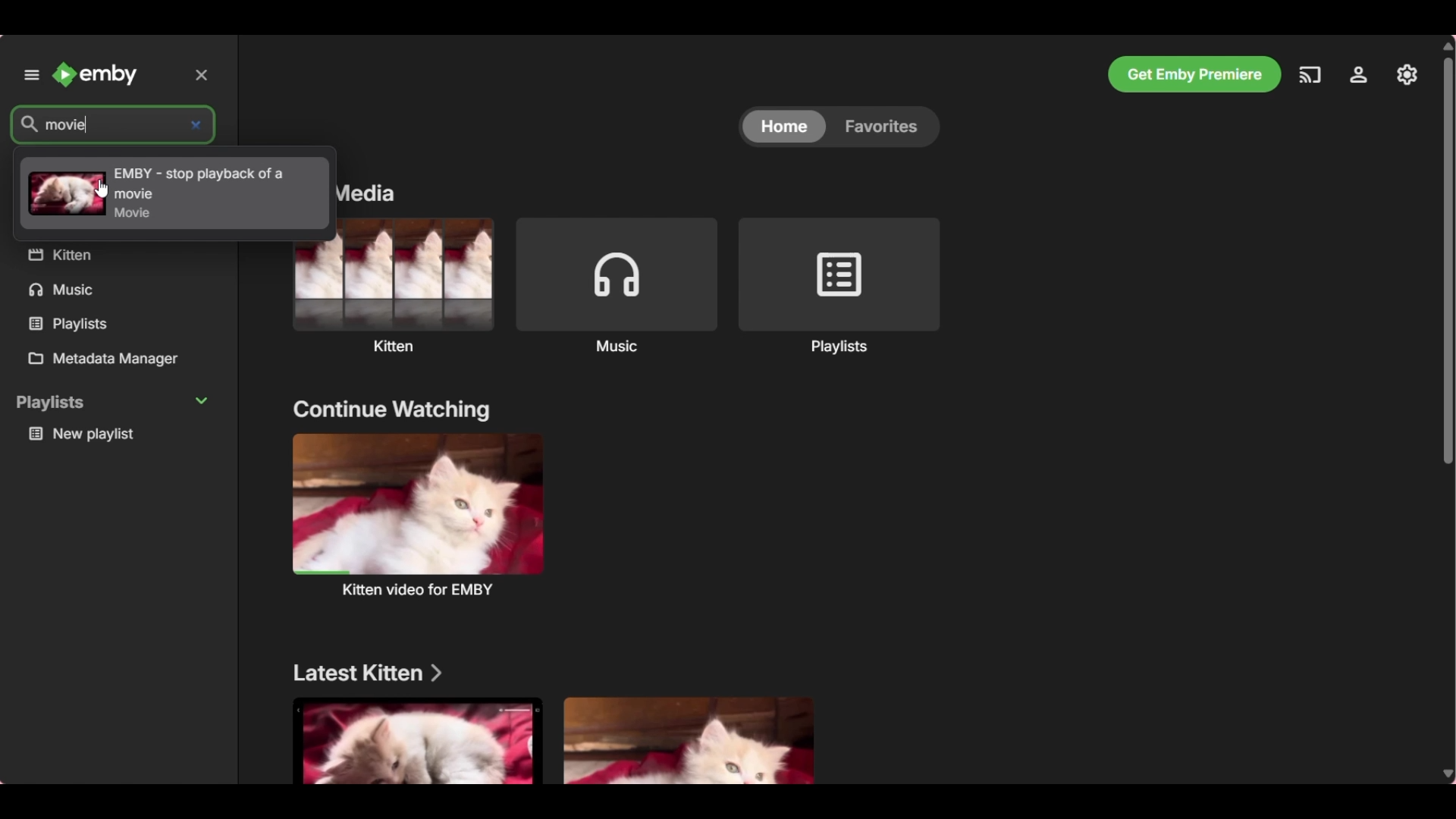 The height and width of the screenshot is (819, 1456). I want to click on Get Emby Premiere, so click(1194, 74).